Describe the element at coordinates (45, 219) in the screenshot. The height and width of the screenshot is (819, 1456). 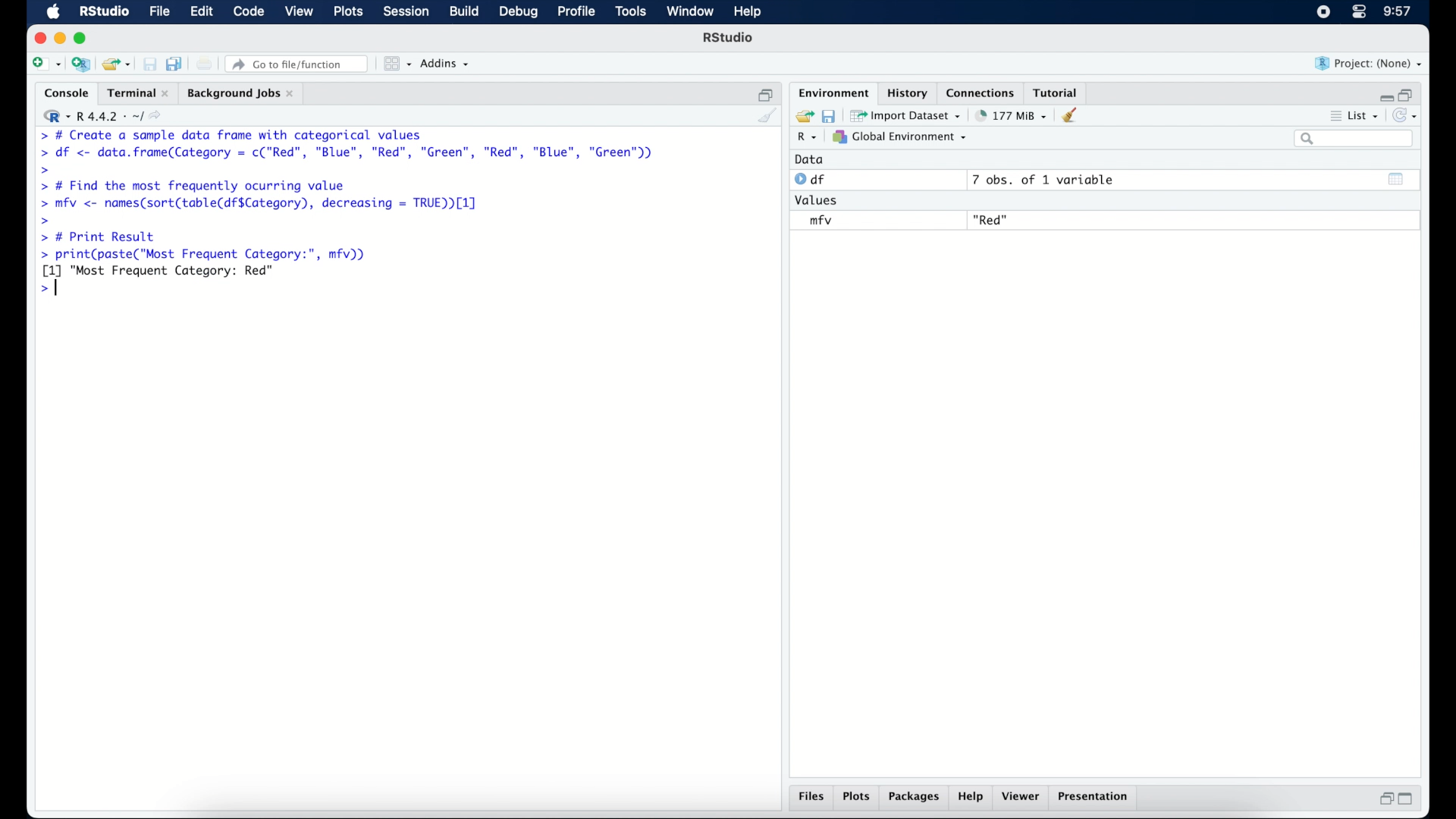
I see `command prompt` at that location.